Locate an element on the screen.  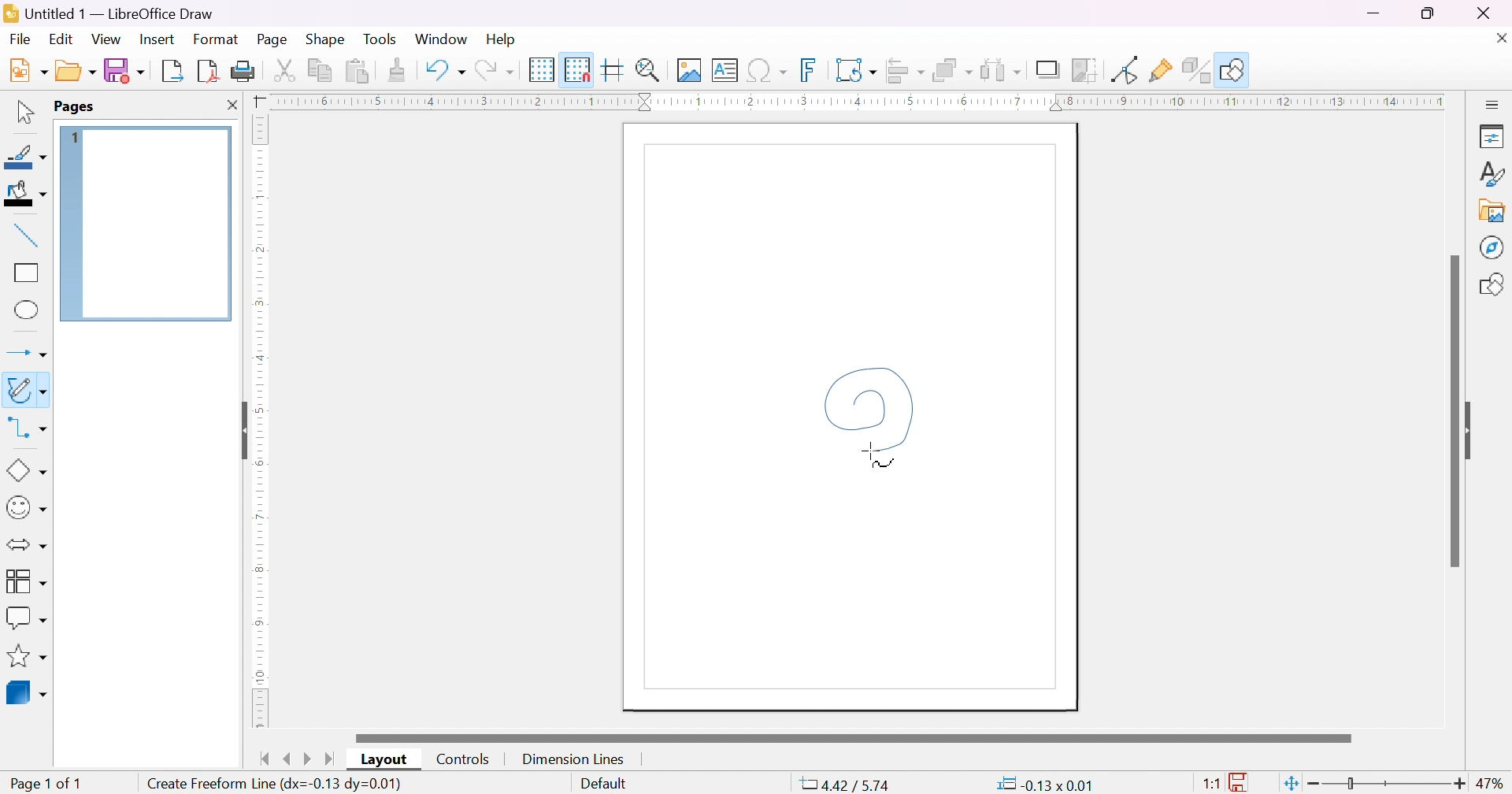
paste is located at coordinates (358, 72).